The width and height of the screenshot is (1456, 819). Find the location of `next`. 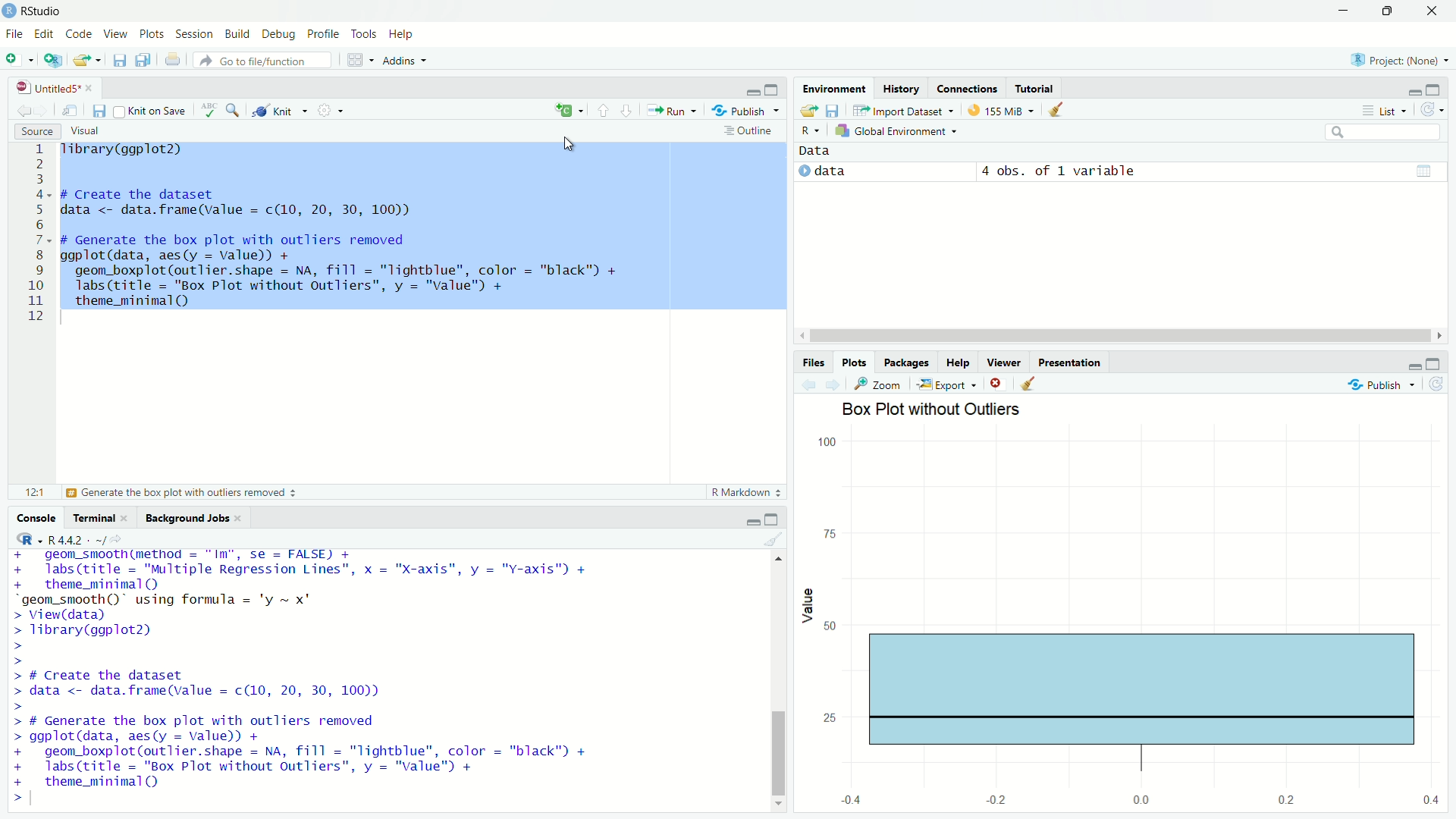

next is located at coordinates (838, 383).